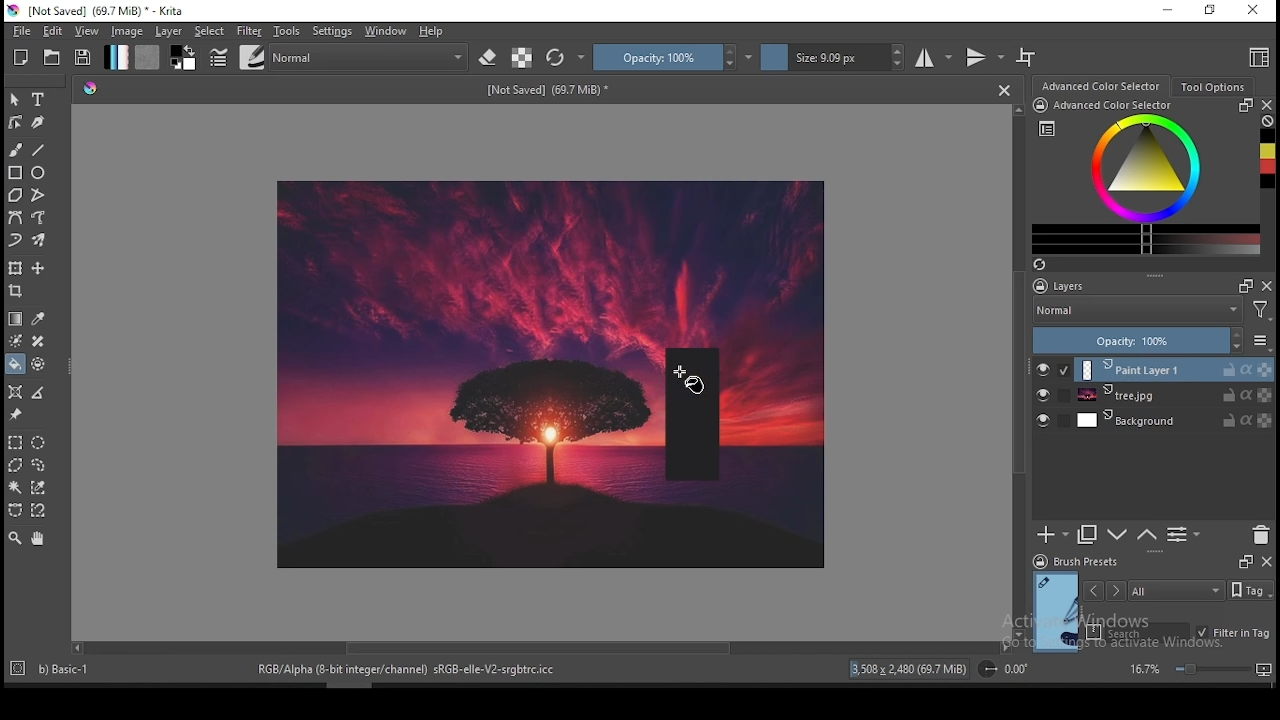 Image resolution: width=1280 pixels, height=720 pixels. I want to click on brush preset, so click(1075, 561).